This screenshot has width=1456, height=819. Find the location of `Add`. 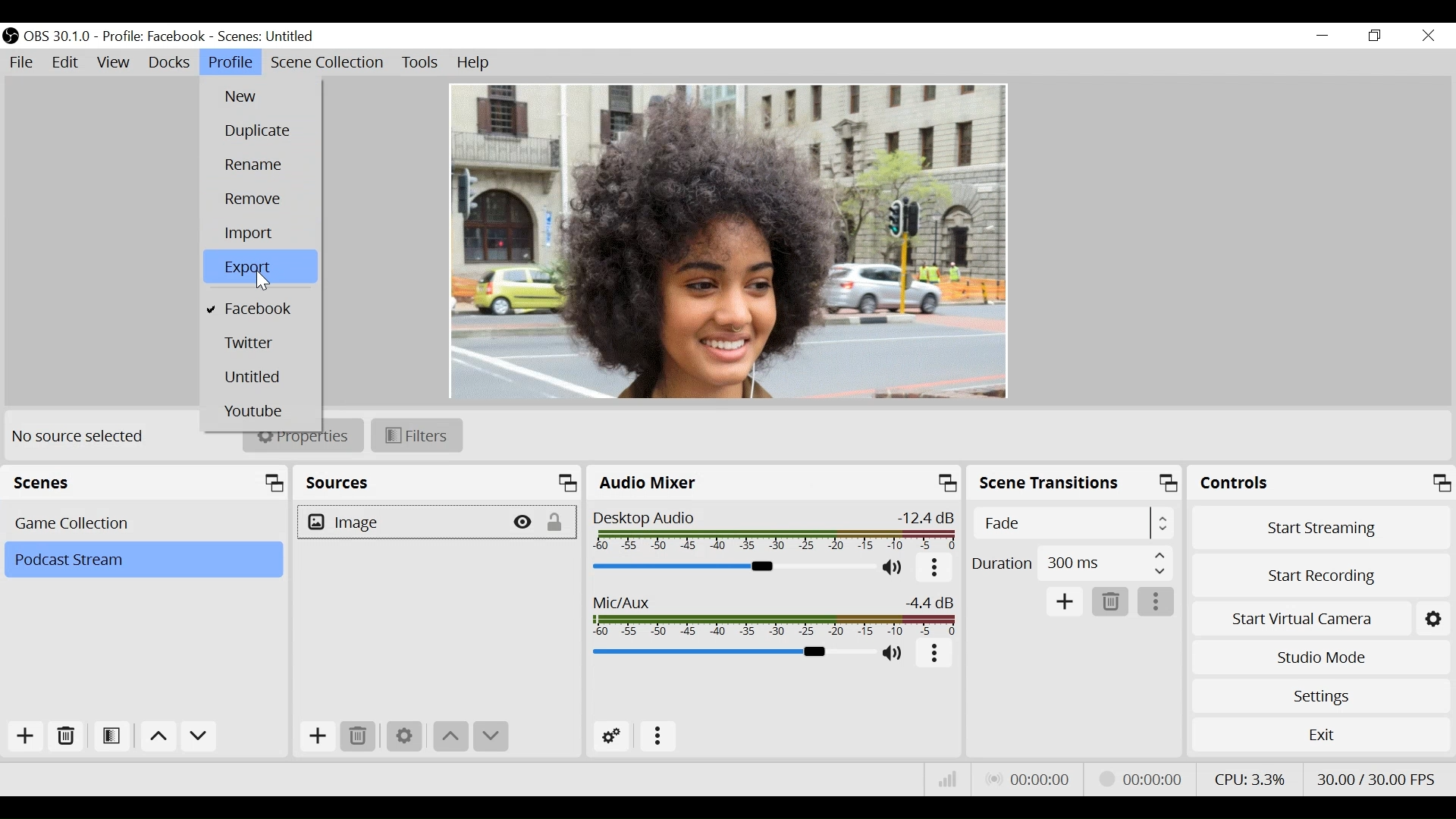

Add is located at coordinates (26, 736).